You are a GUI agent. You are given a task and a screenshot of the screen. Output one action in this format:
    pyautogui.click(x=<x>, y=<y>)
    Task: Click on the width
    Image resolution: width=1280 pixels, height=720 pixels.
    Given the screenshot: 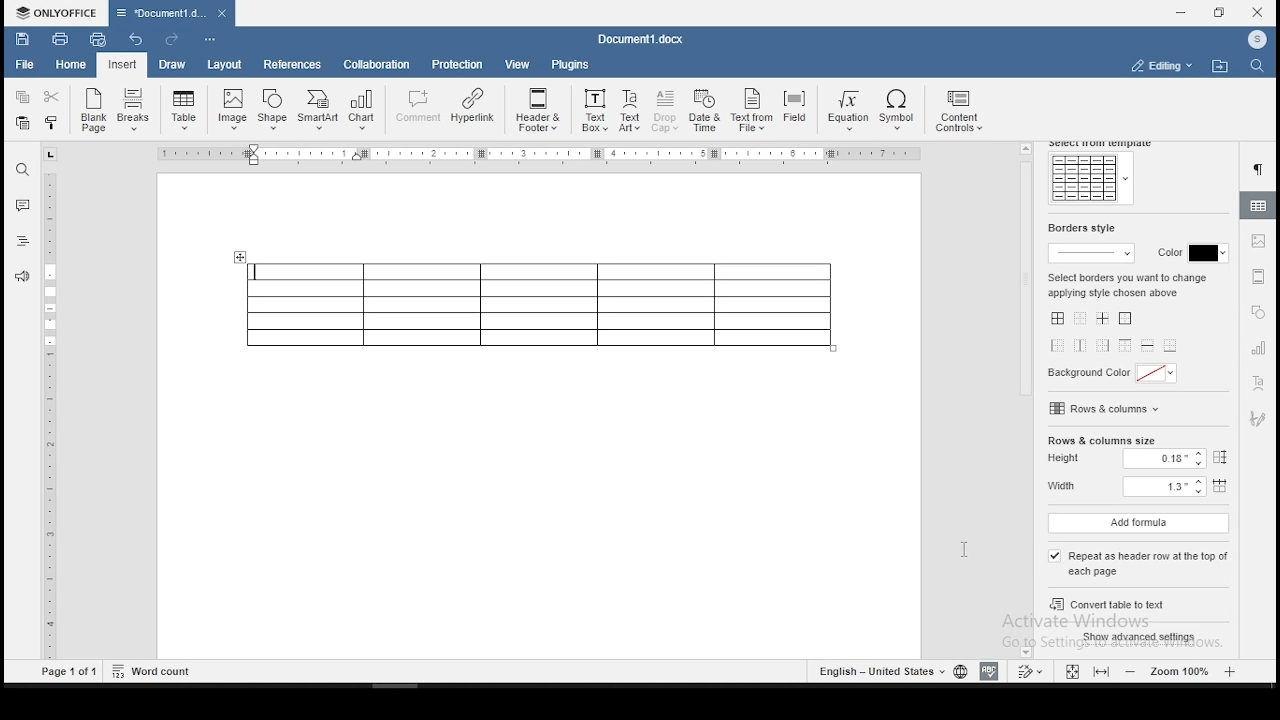 What is the action you would take?
    pyautogui.click(x=1135, y=488)
    